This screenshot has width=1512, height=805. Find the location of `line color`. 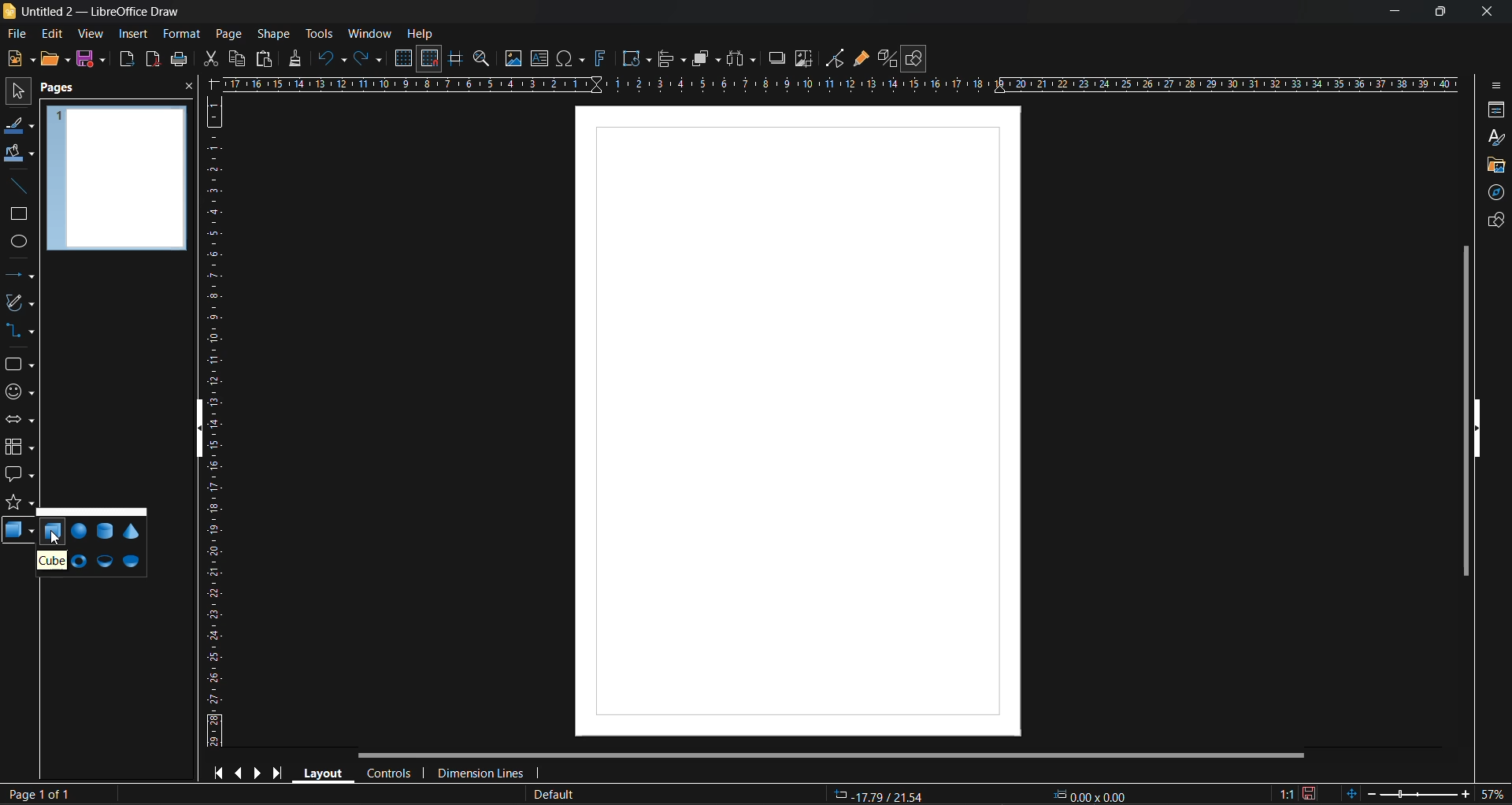

line color is located at coordinates (17, 127).